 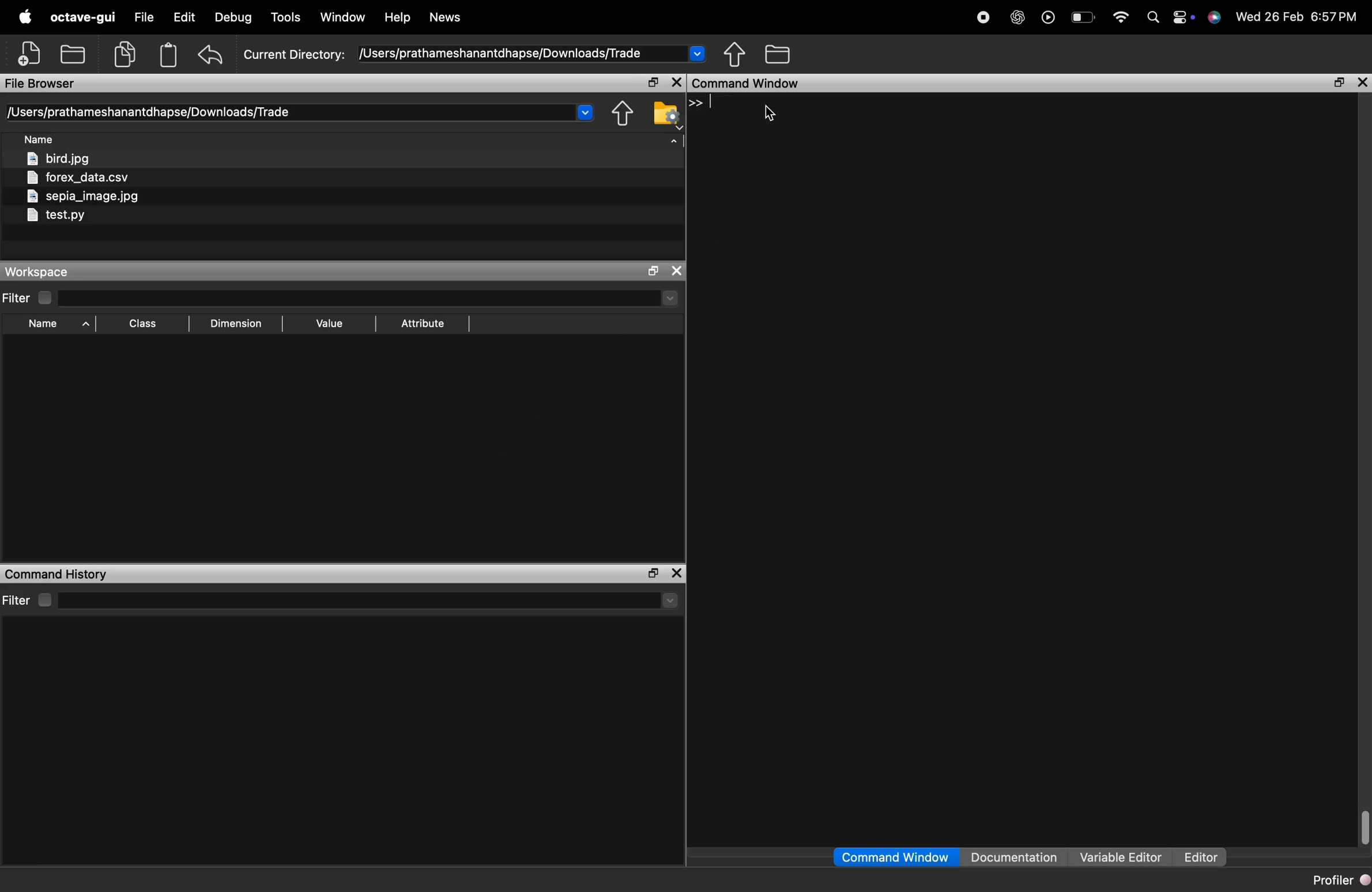 I want to click on browse directories, so click(x=778, y=54).